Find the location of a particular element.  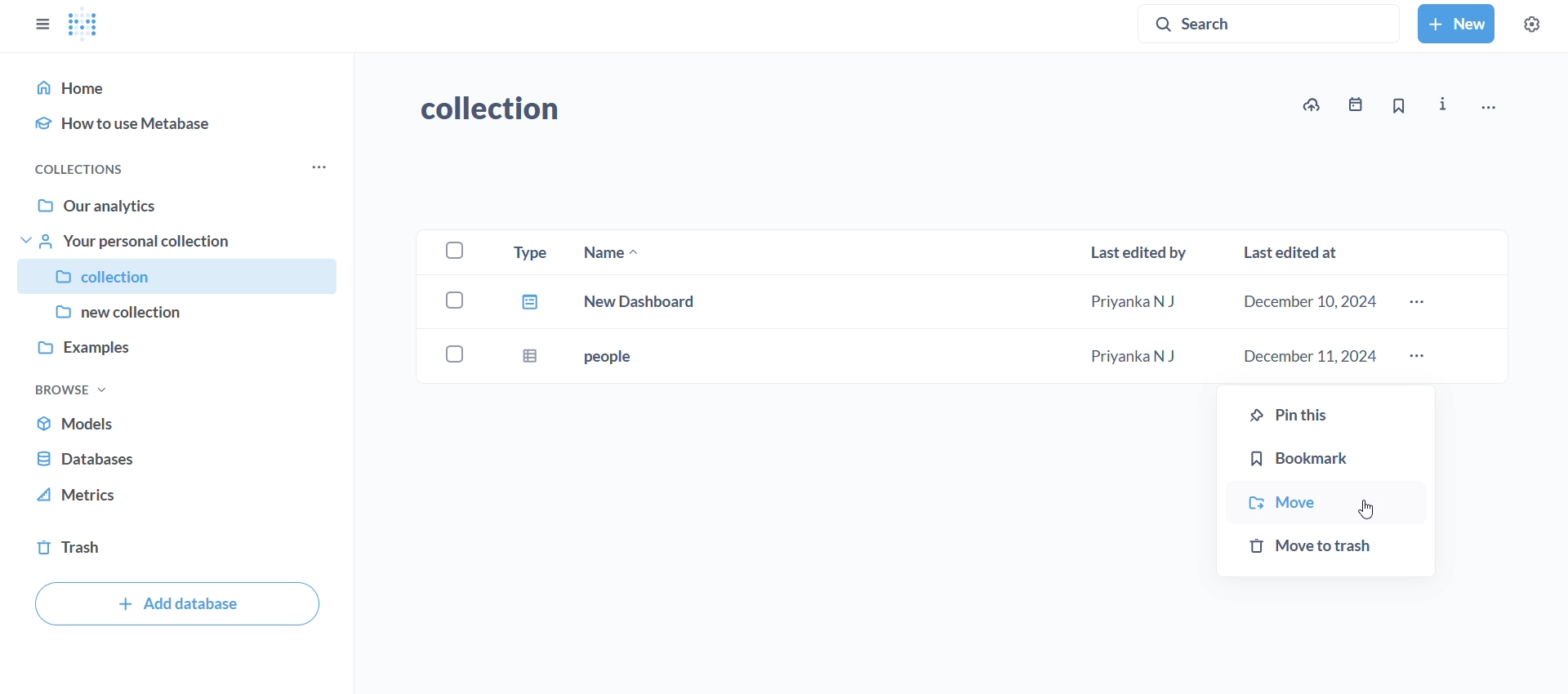

sheet is located at coordinates (524, 353).